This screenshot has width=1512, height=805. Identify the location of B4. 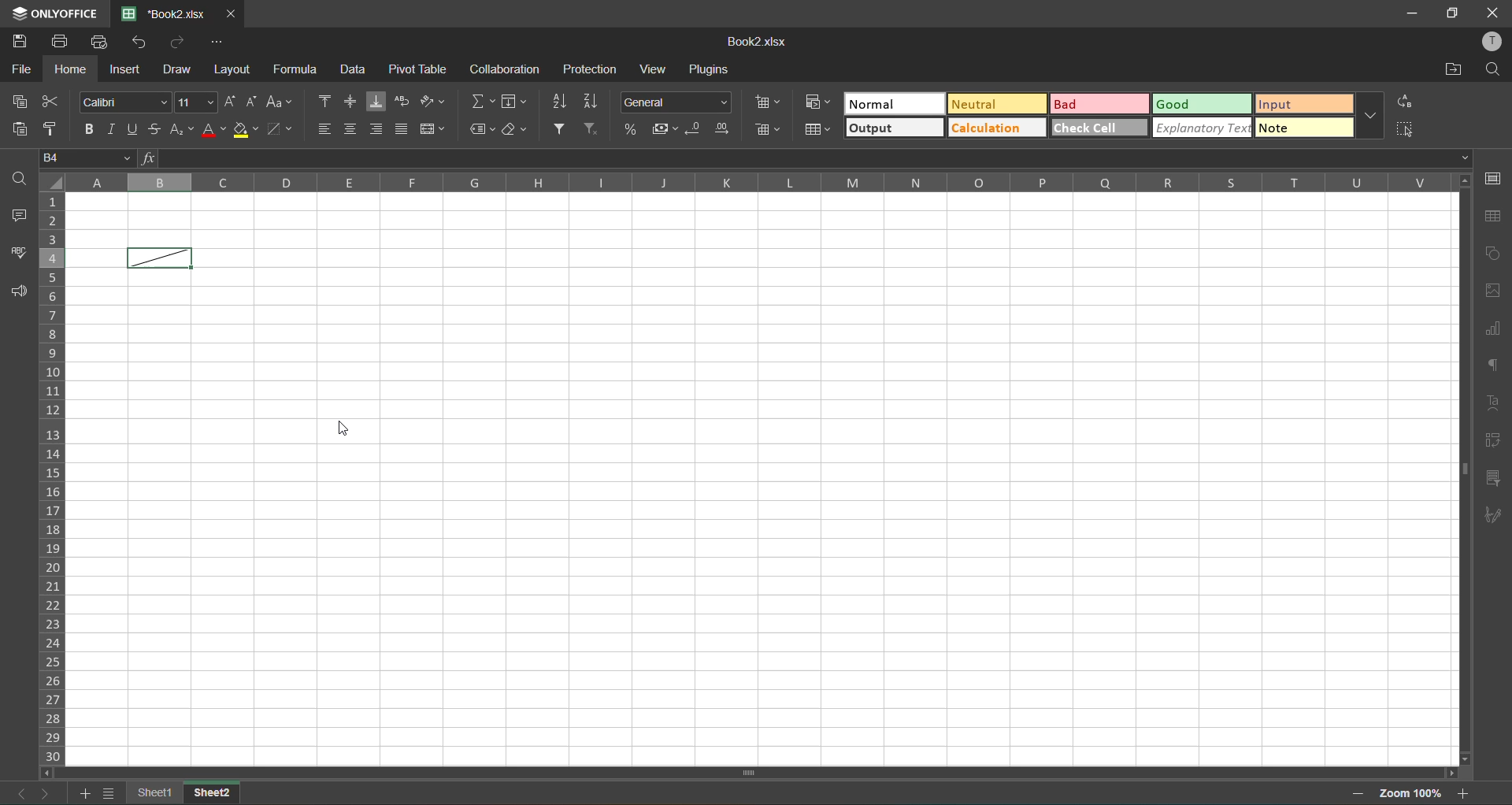
(89, 157).